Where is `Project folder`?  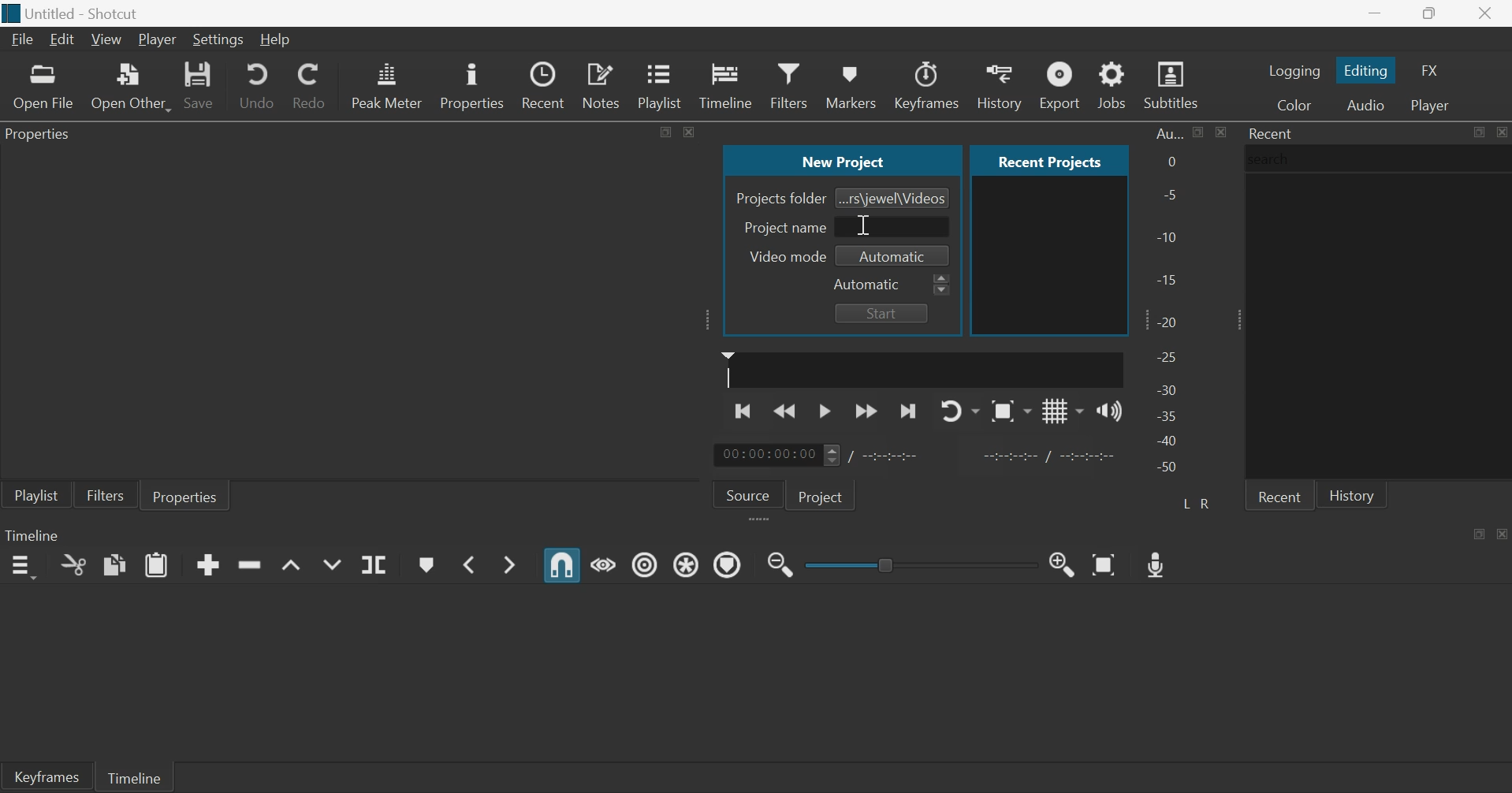 Project folder is located at coordinates (780, 199).